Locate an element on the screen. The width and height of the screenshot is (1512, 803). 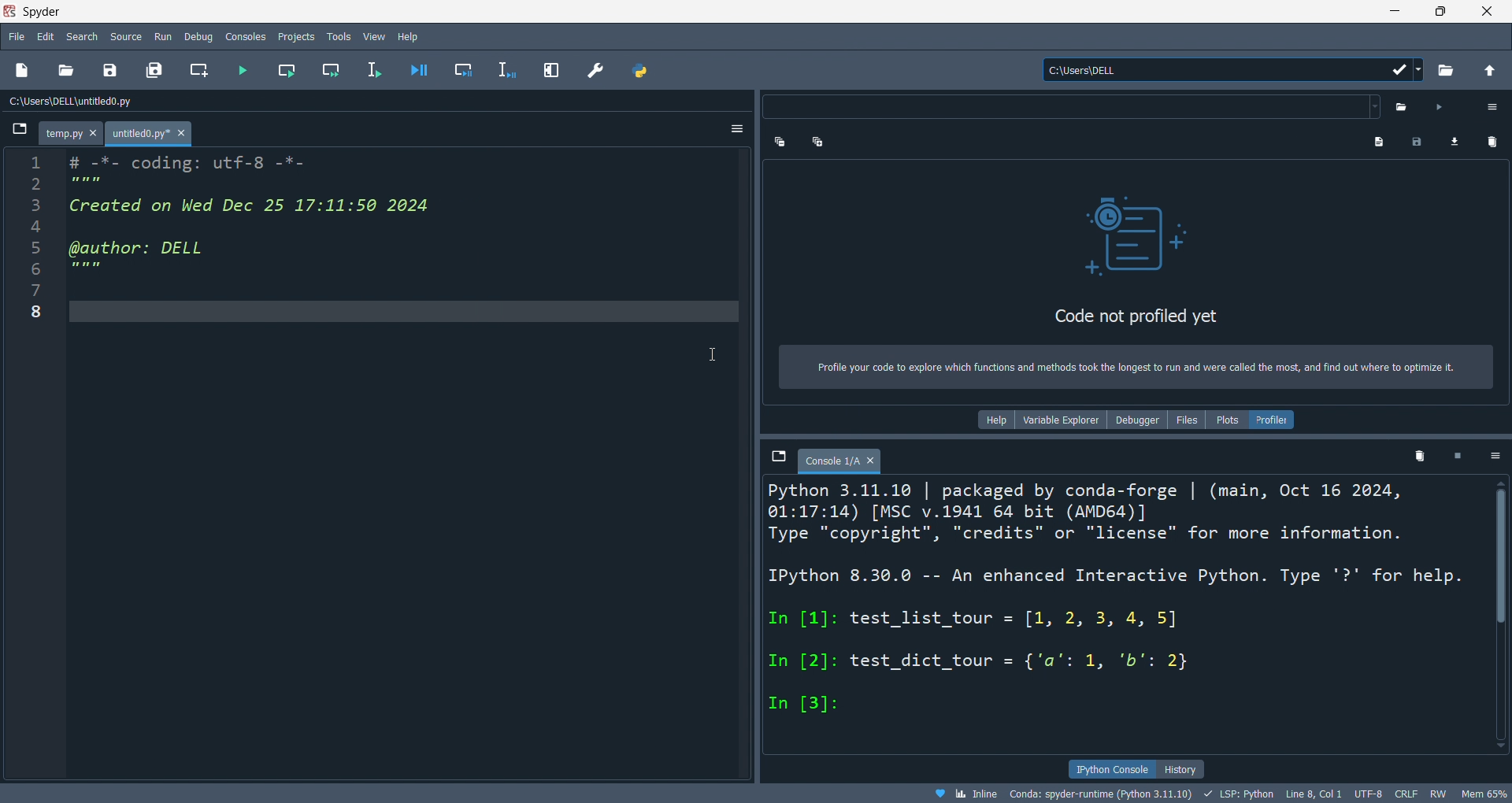
expand pane is located at coordinates (553, 68).